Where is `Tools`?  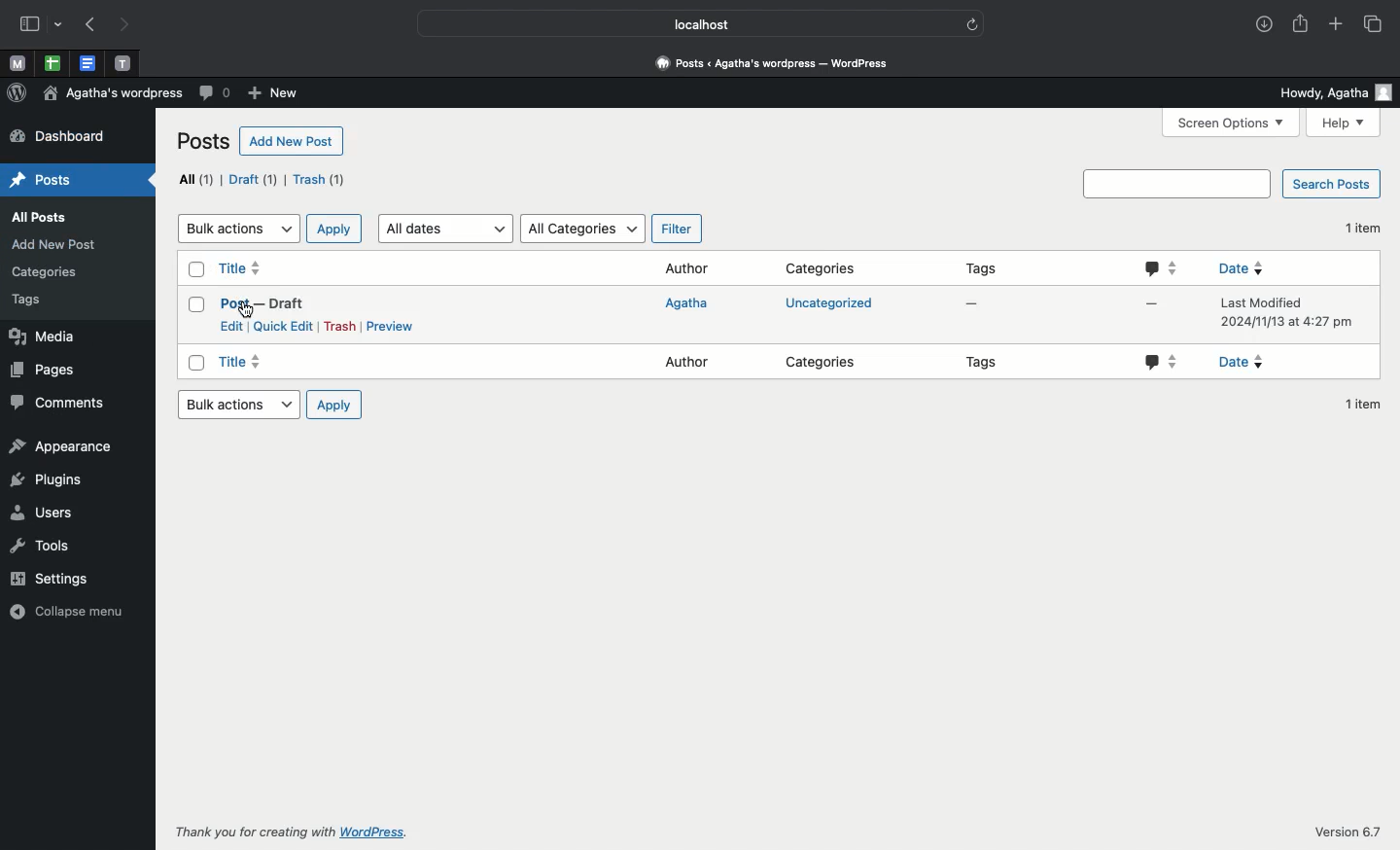 Tools is located at coordinates (52, 549).